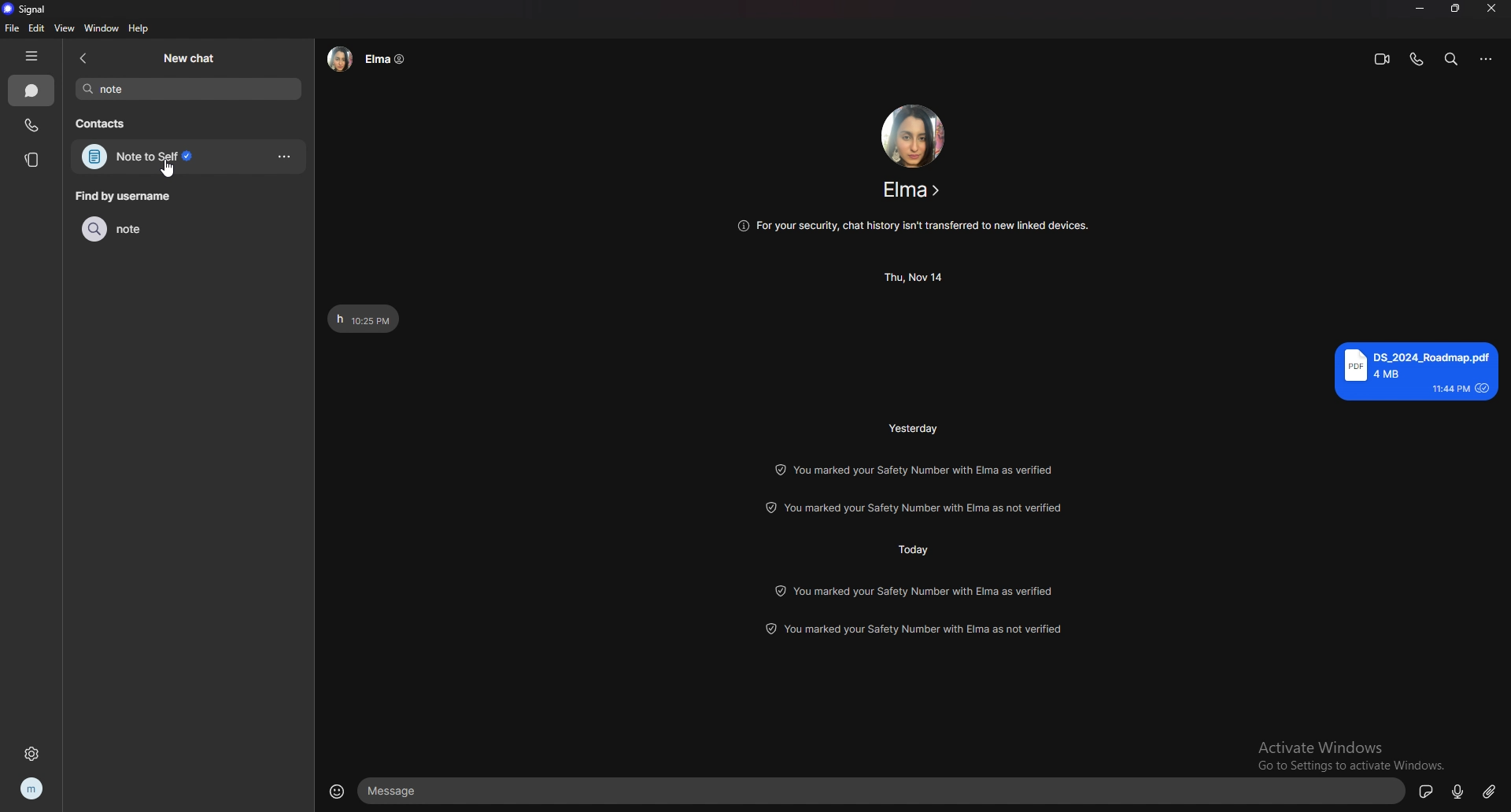 The image size is (1511, 812). I want to click on contact photo, so click(914, 135).